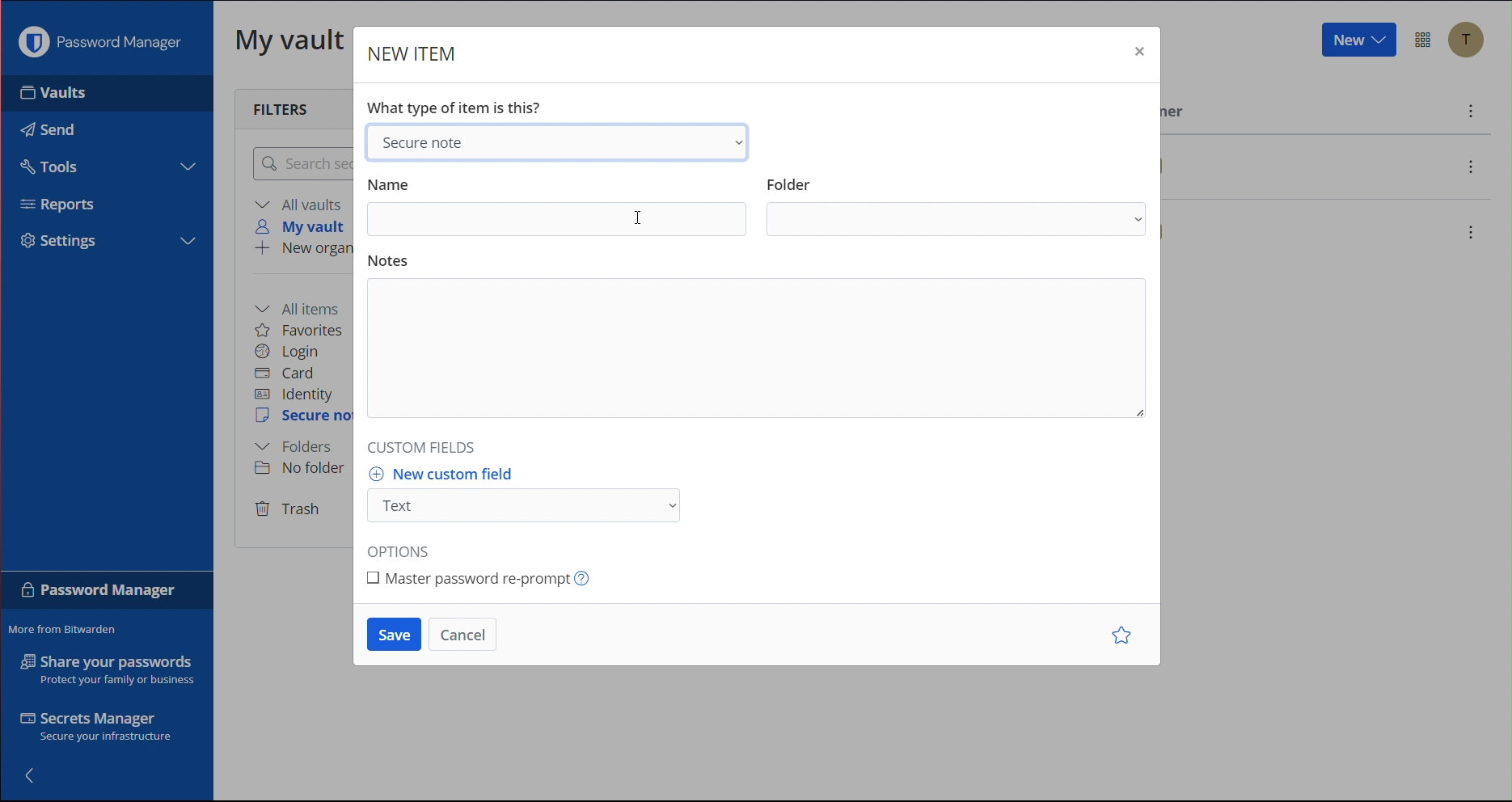 Image resolution: width=1512 pixels, height=802 pixels. What do you see at coordinates (563, 142) in the screenshot?
I see `Secure note` at bounding box center [563, 142].